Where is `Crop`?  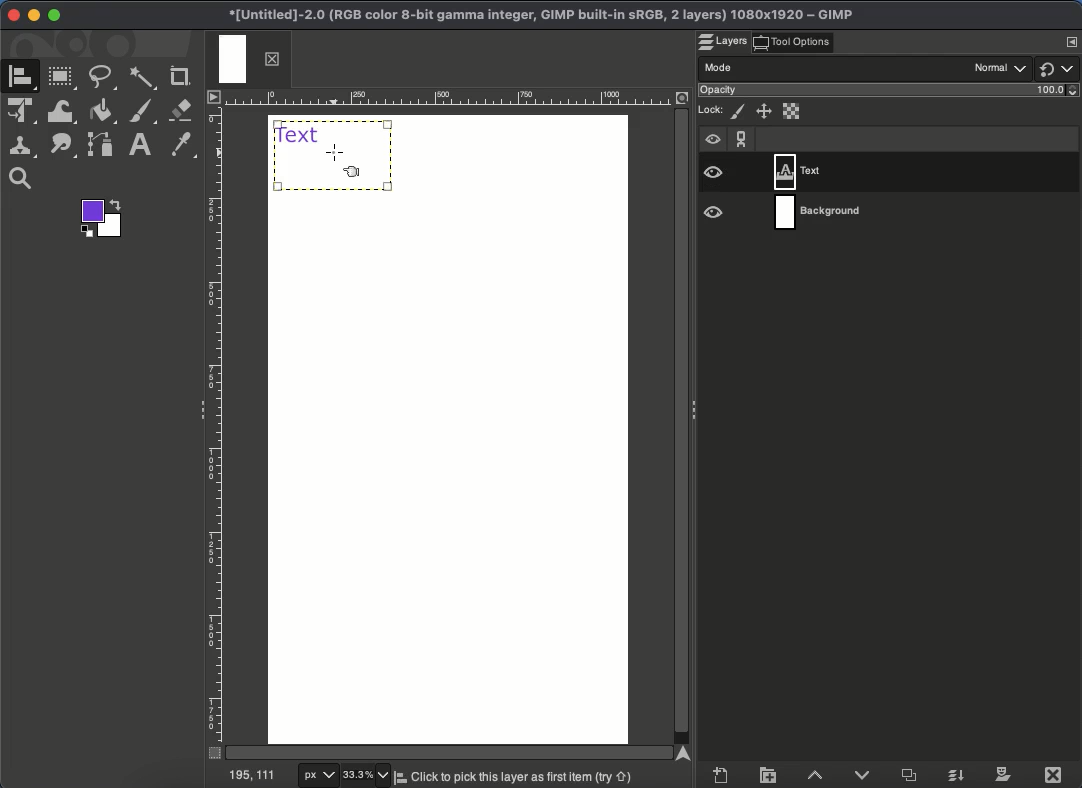
Crop is located at coordinates (180, 76).